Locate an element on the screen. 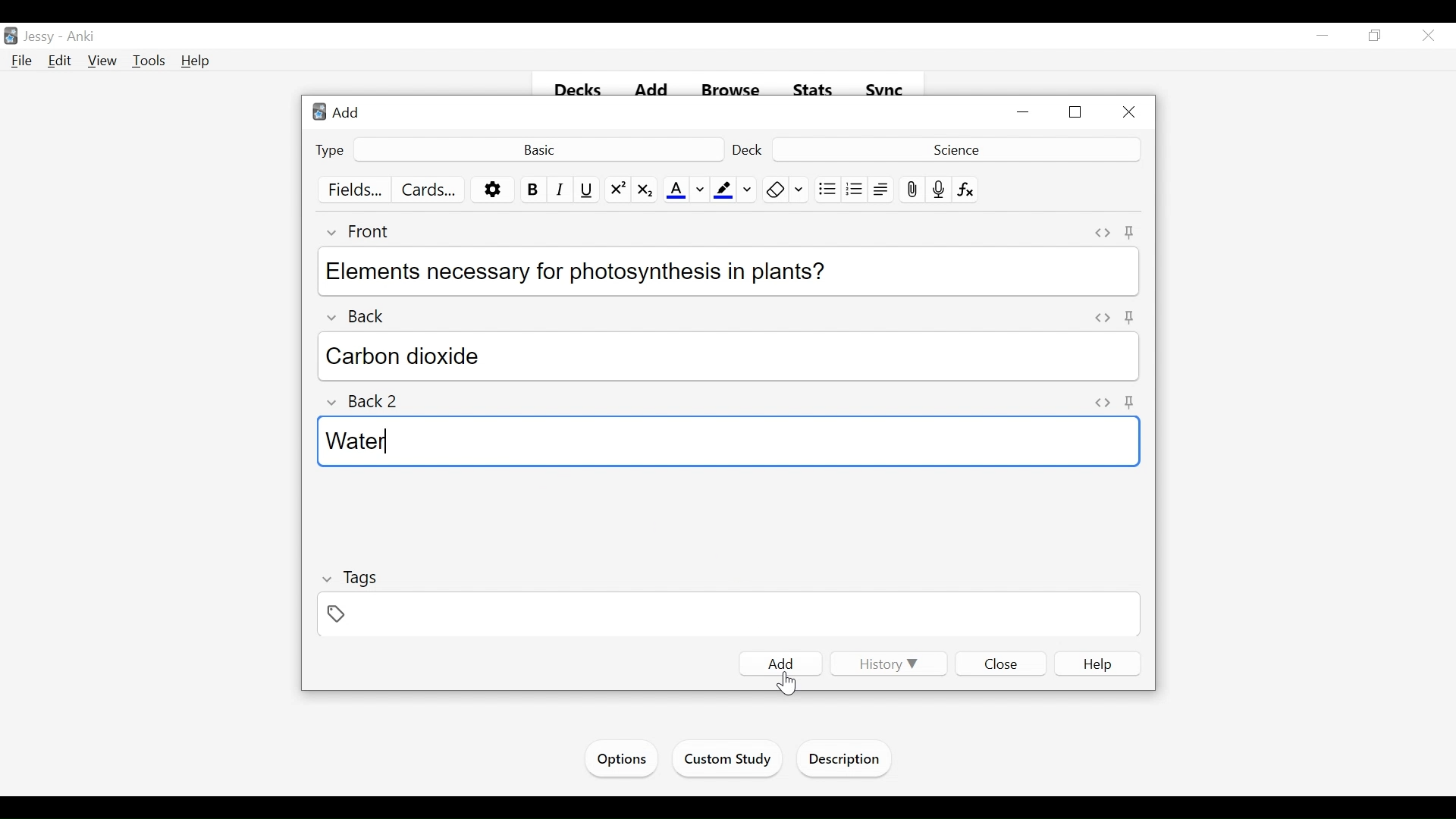 The width and height of the screenshot is (1456, 819). Sync is located at coordinates (885, 90).